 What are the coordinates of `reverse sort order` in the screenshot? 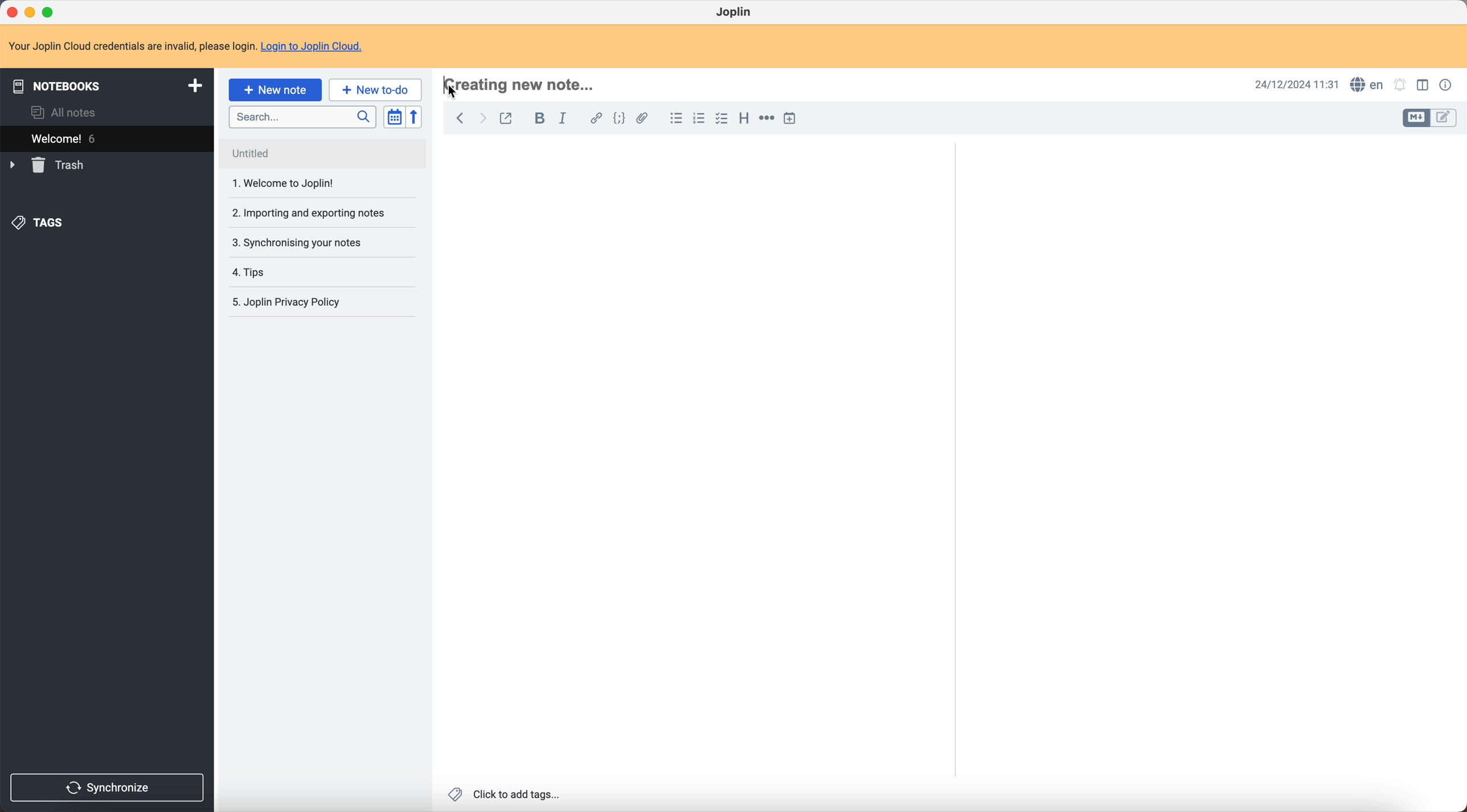 It's located at (413, 117).